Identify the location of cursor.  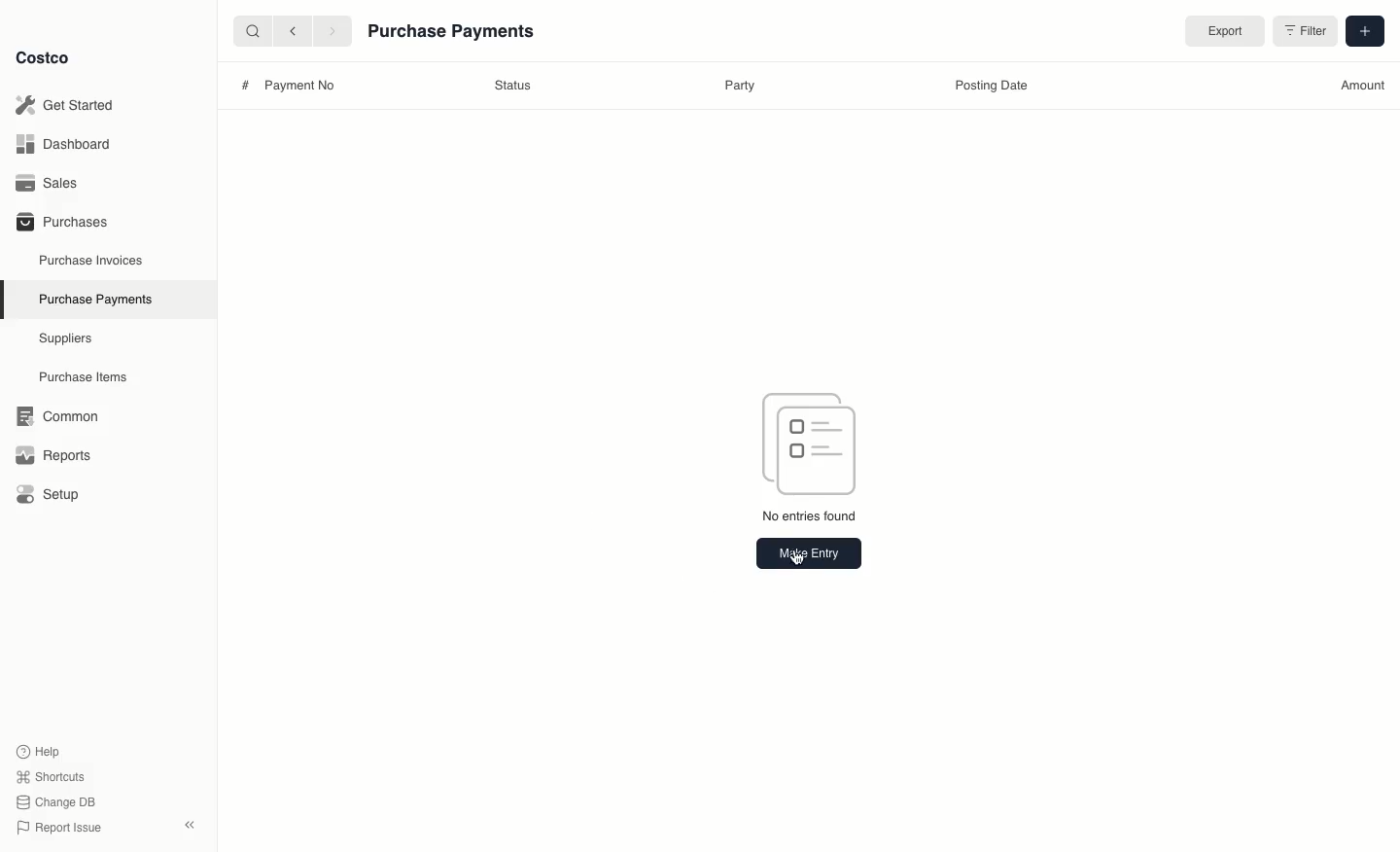
(802, 557).